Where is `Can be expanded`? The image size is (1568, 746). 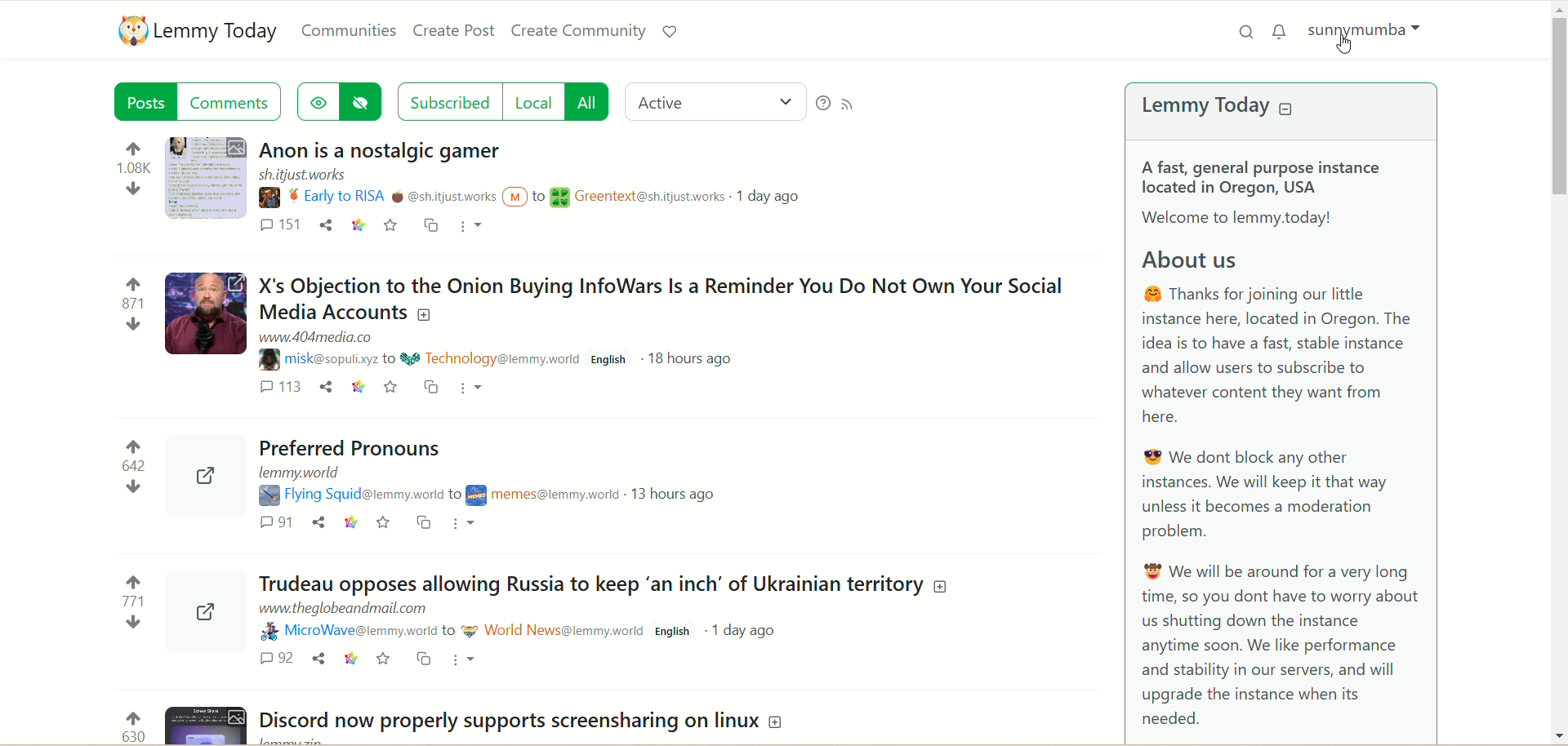 Can be expanded is located at coordinates (212, 615).